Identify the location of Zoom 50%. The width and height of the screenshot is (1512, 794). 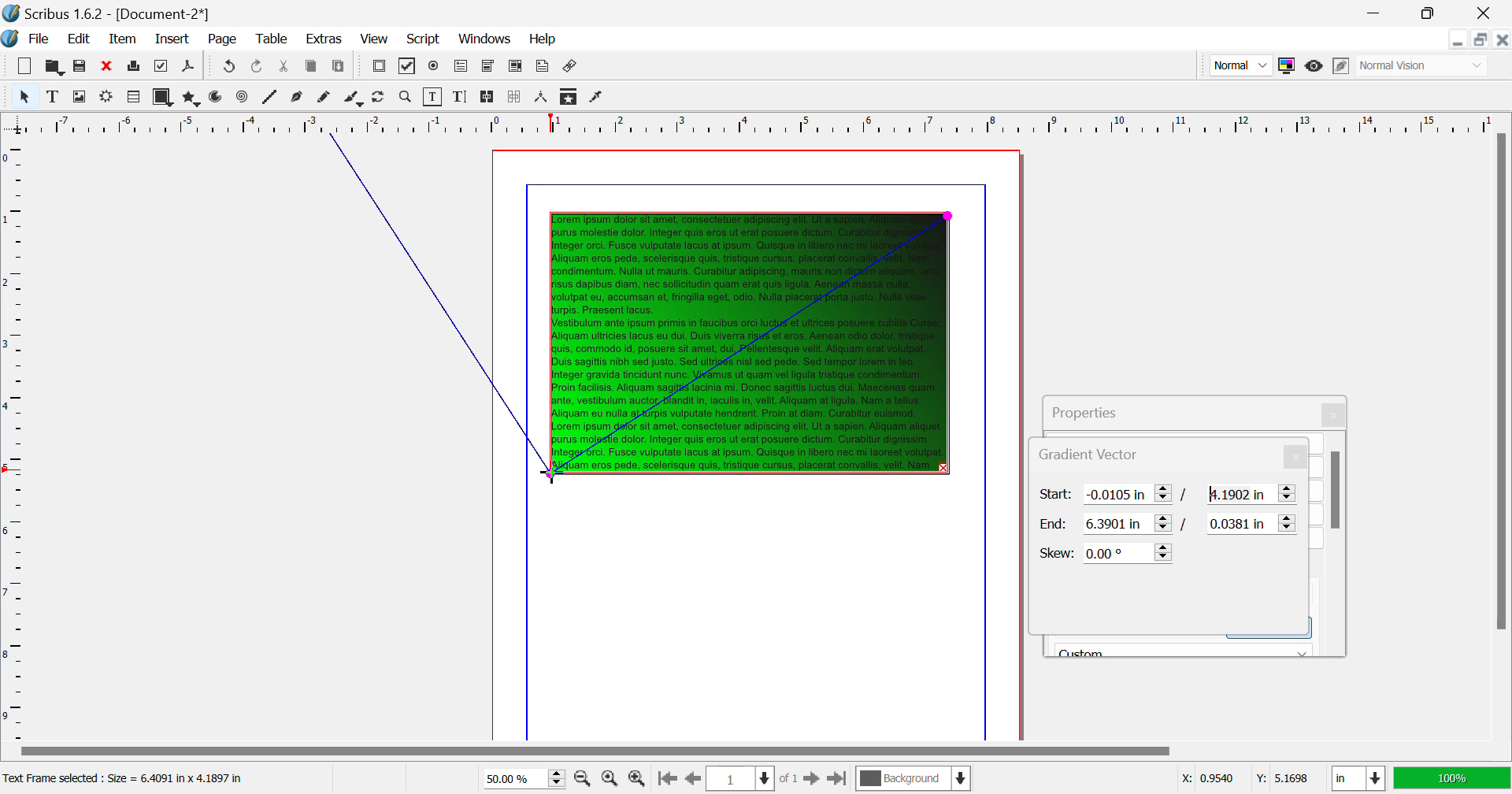
(518, 778).